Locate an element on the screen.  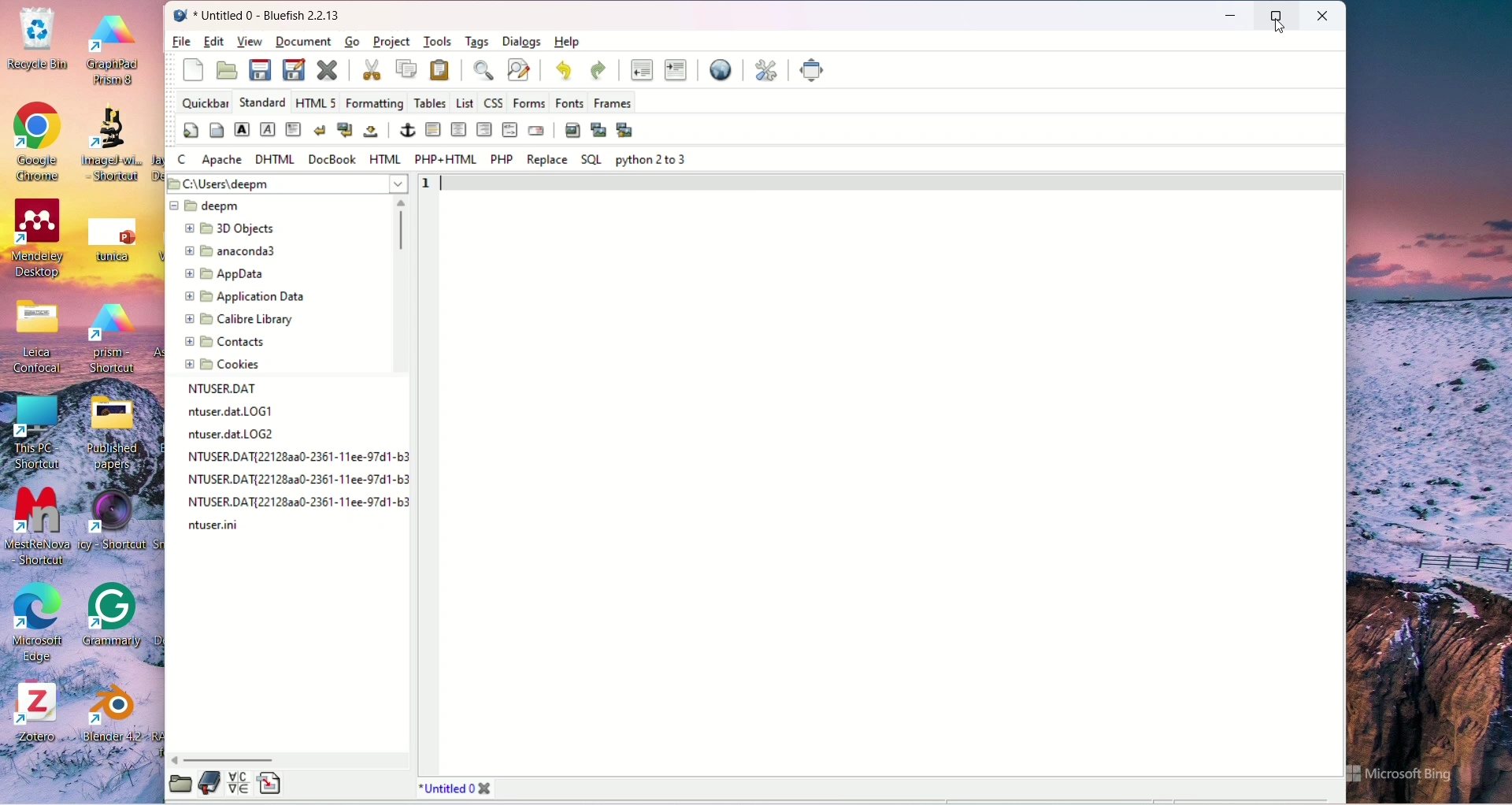
paragraph is located at coordinates (294, 128).